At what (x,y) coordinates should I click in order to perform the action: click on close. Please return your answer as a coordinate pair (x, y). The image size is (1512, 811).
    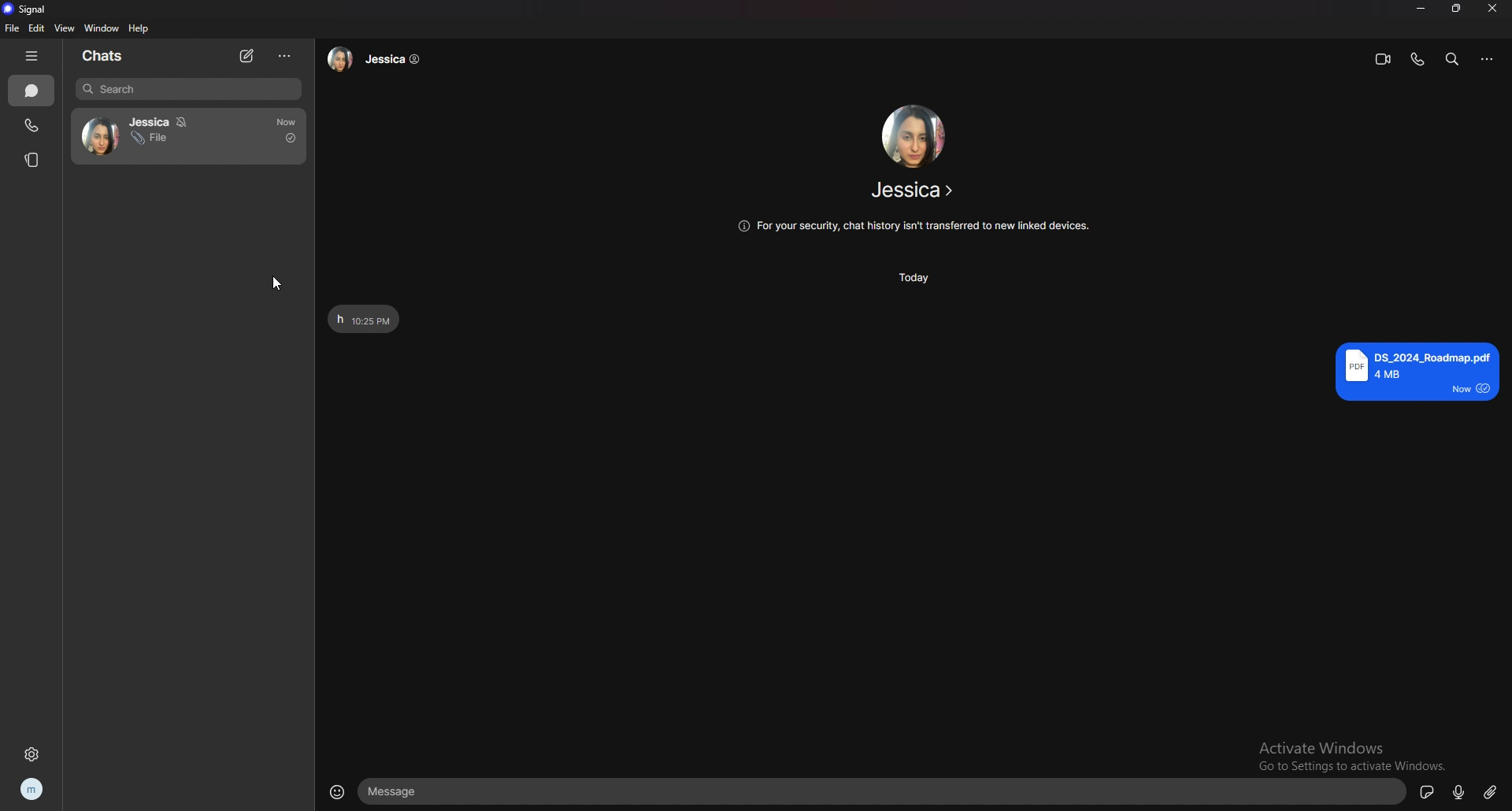
    Looking at the image, I should click on (1494, 9).